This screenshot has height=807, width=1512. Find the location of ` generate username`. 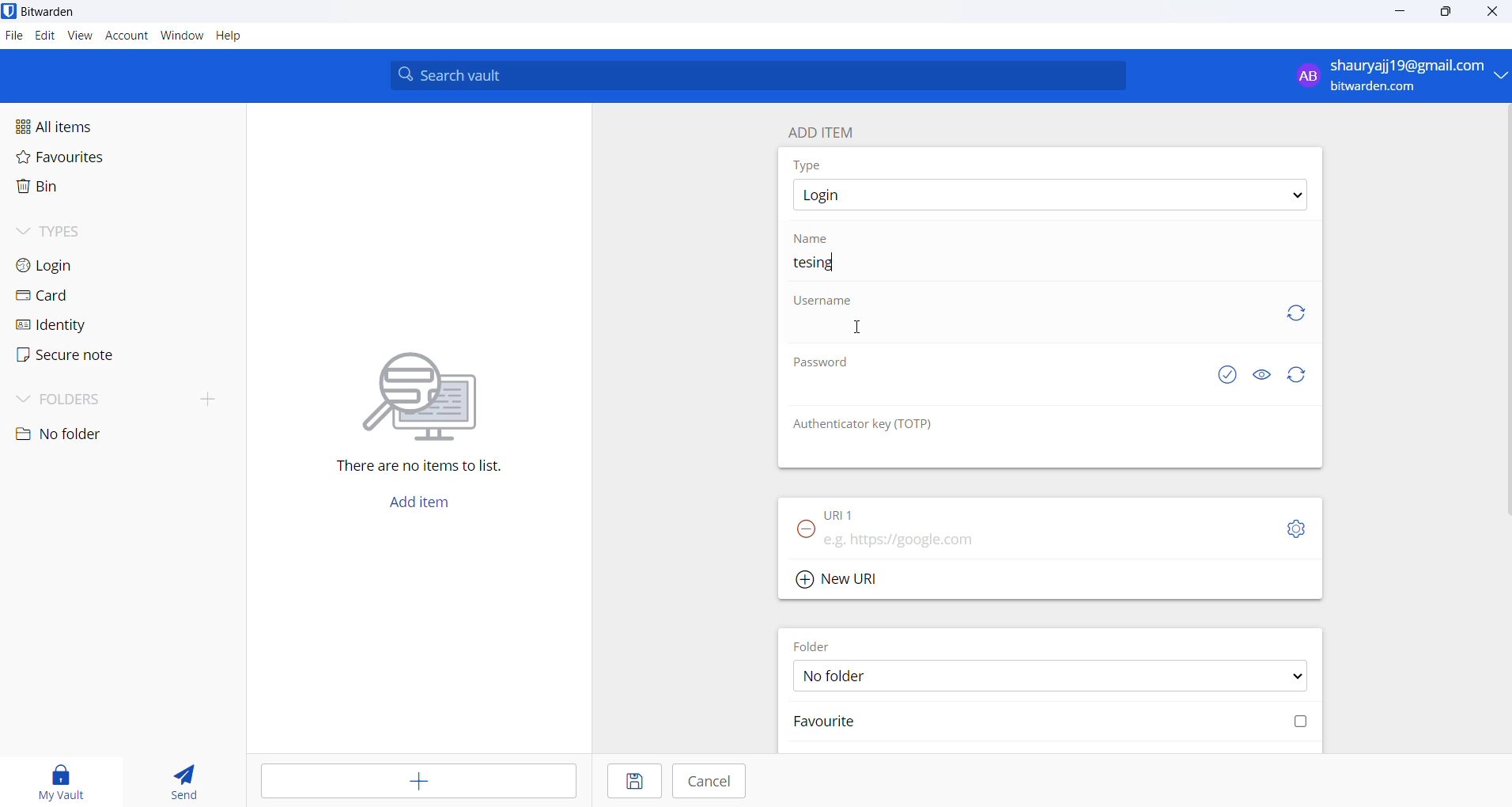

 generate username is located at coordinates (1296, 311).